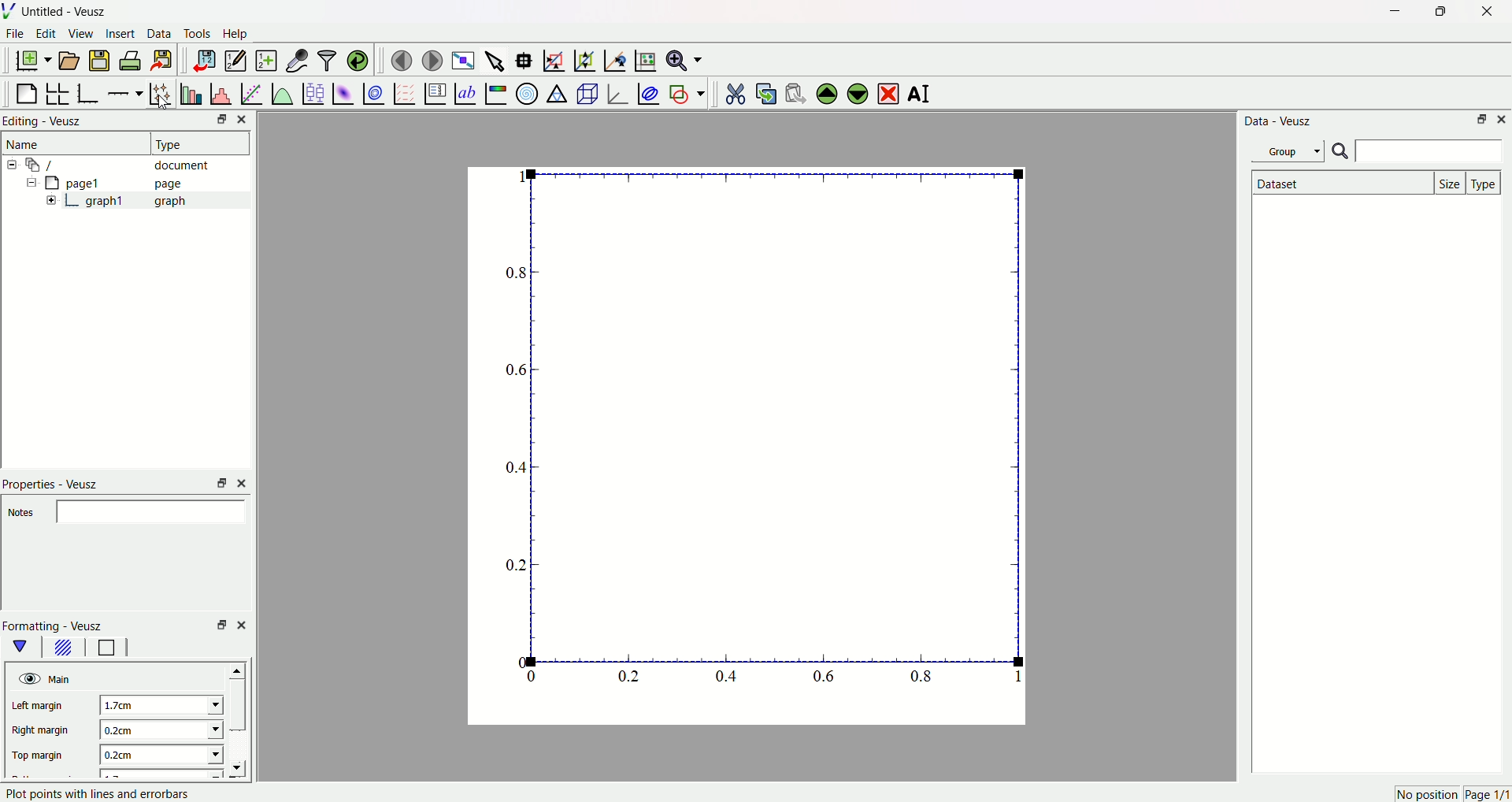 The image size is (1512, 802). Describe the element at coordinates (888, 92) in the screenshot. I see `remove the widgets` at that location.